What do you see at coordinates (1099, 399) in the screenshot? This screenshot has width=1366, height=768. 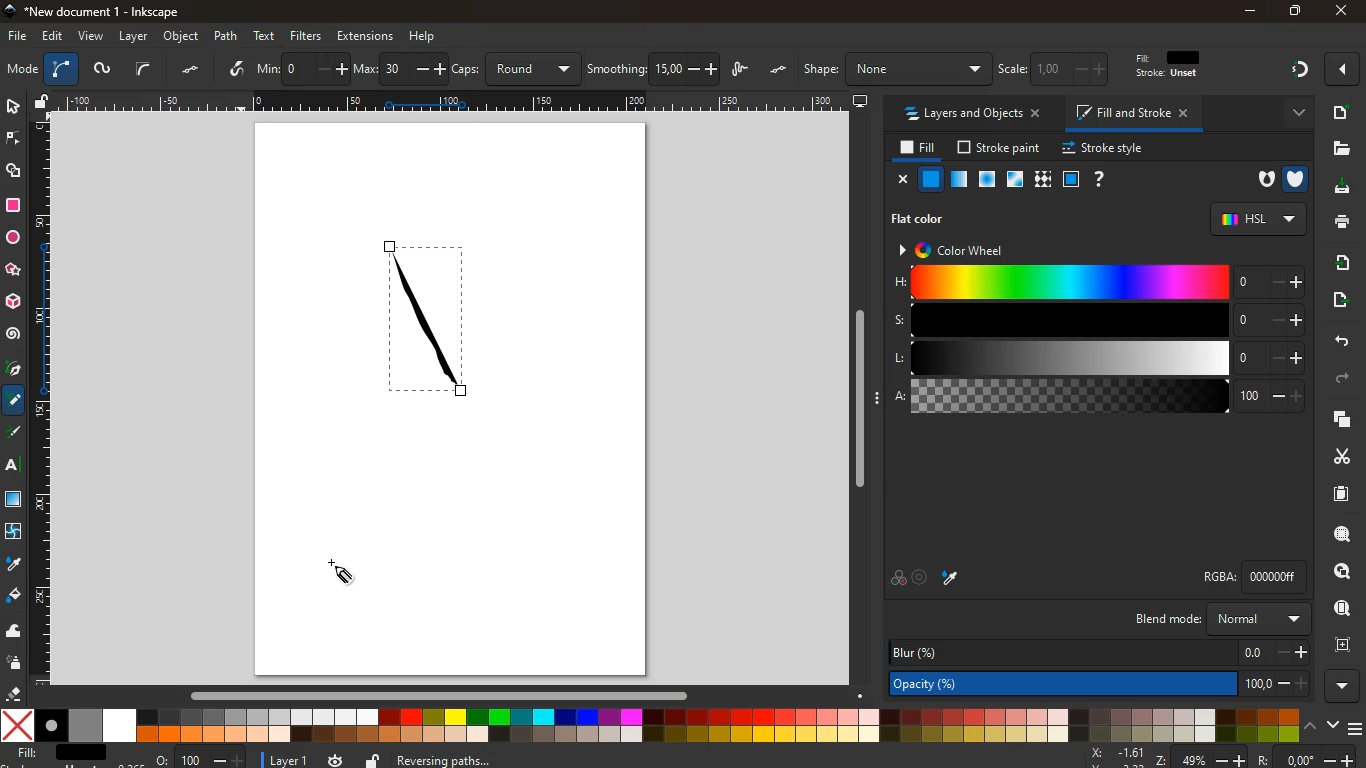 I see `a` at bounding box center [1099, 399].